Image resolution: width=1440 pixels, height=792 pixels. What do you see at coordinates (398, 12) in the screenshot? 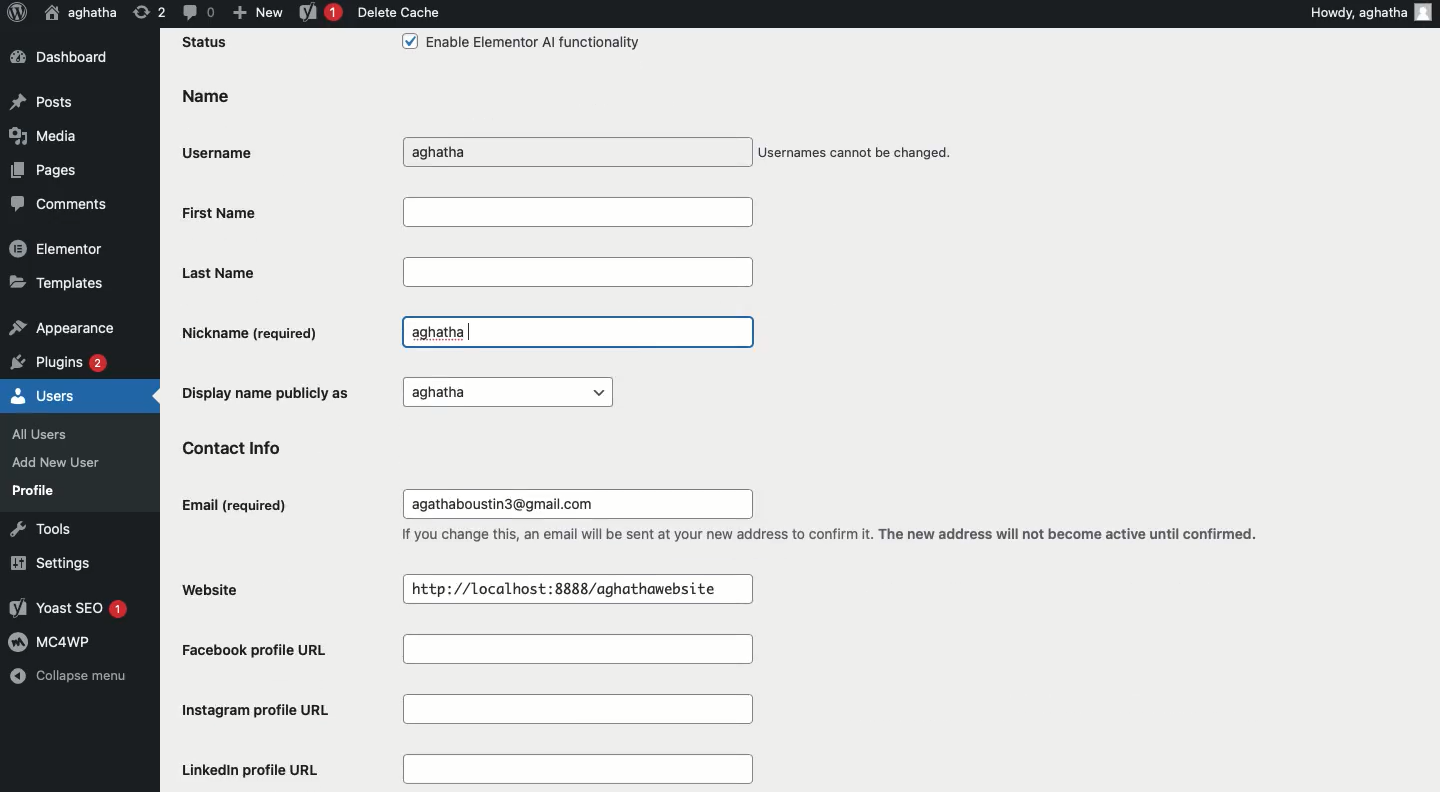
I see `Delete cache` at bounding box center [398, 12].